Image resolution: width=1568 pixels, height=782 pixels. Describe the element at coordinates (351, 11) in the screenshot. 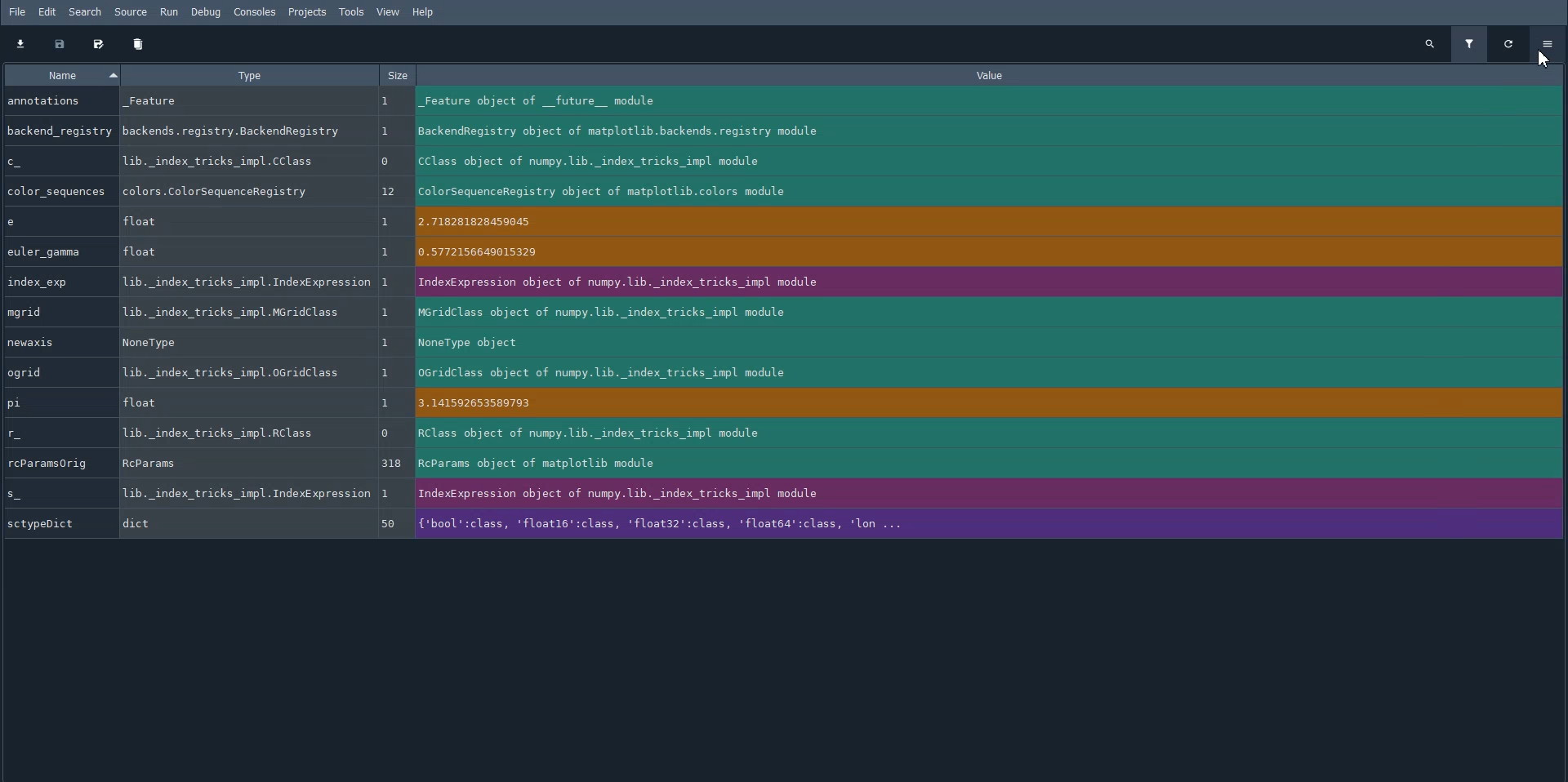

I see `Tools` at that location.